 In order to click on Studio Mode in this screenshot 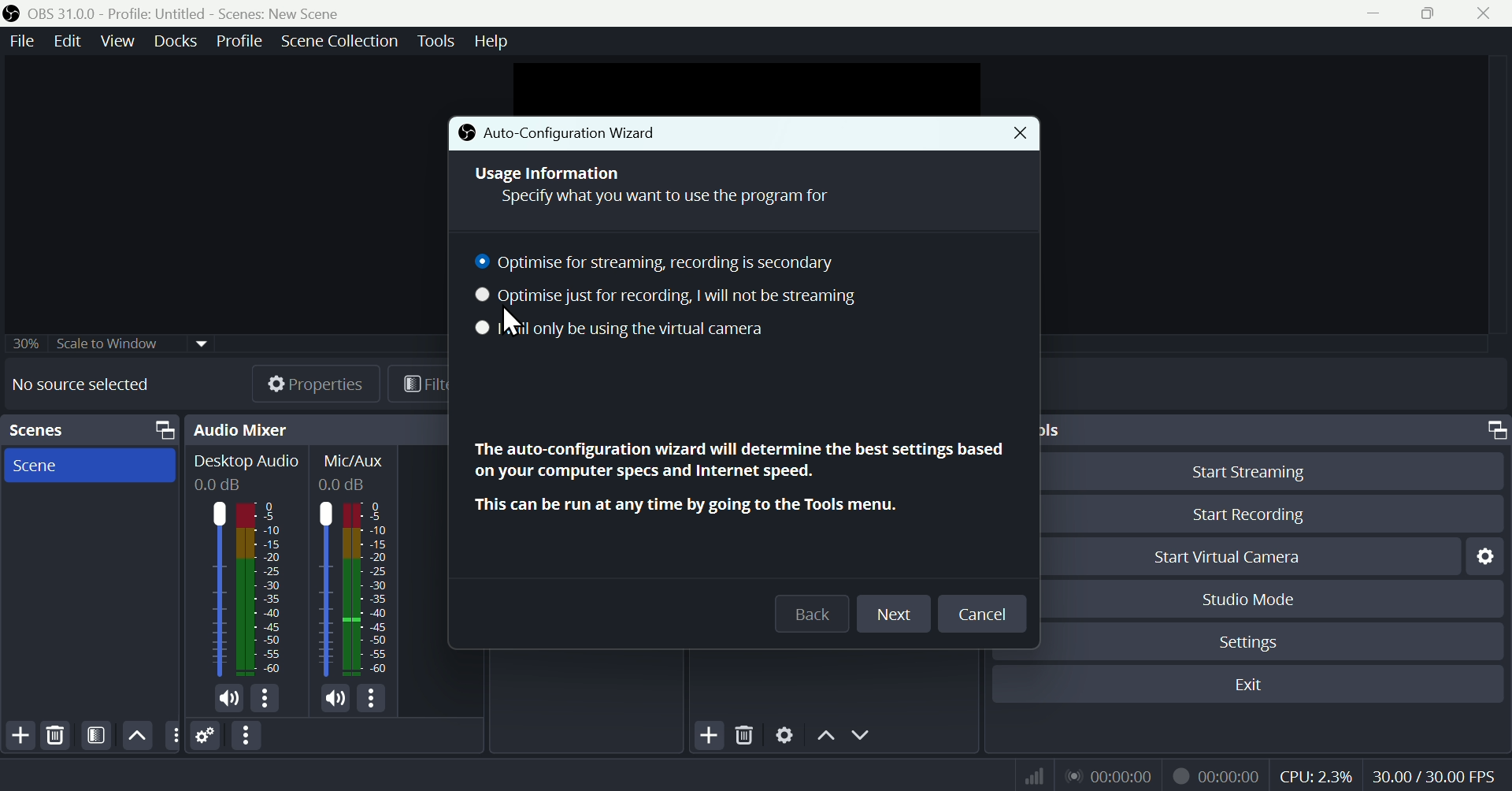, I will do `click(1275, 598)`.